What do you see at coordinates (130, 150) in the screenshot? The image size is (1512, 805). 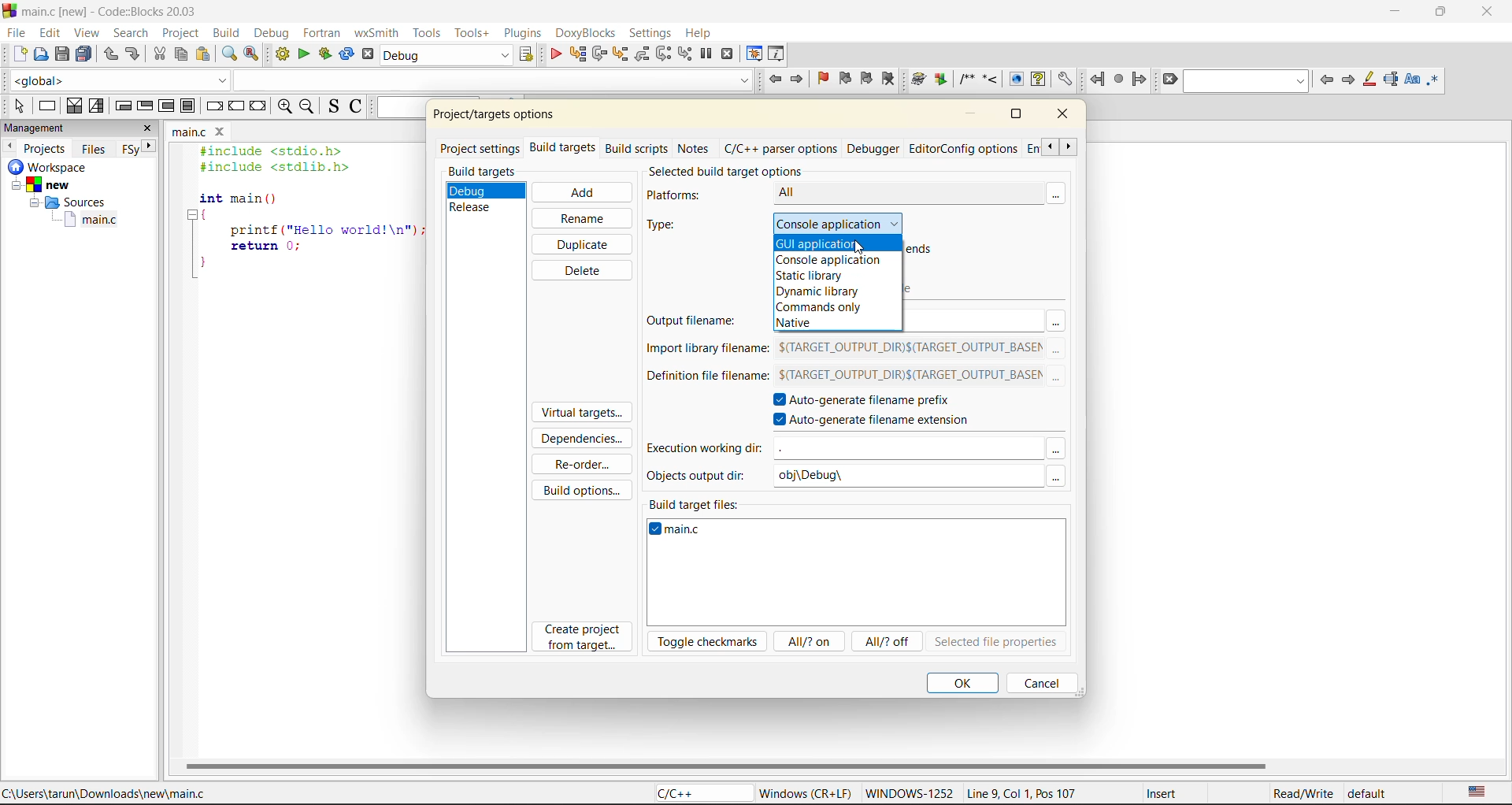 I see `` at bounding box center [130, 150].